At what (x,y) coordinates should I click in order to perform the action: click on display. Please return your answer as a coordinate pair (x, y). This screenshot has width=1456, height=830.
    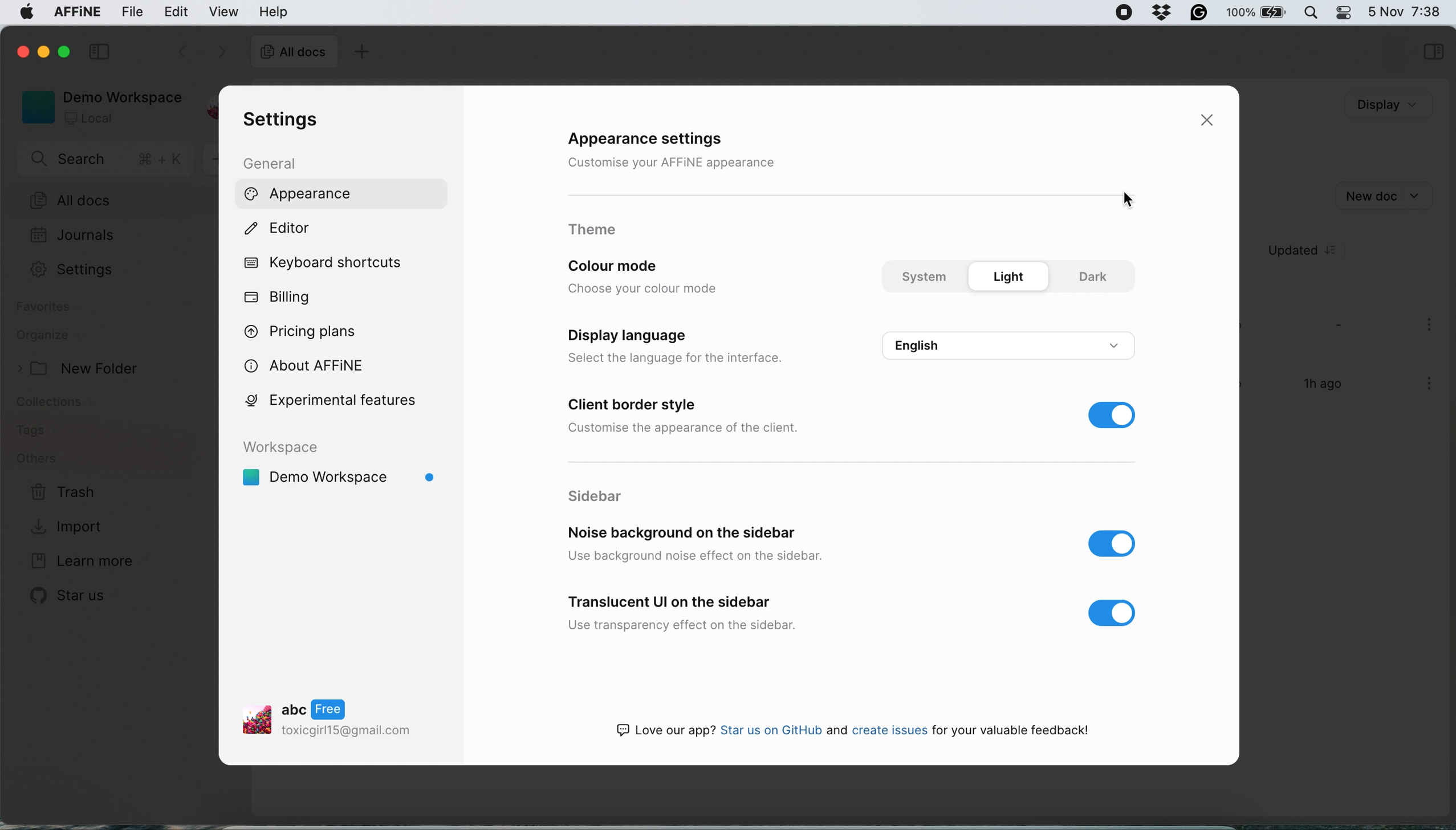
    Looking at the image, I should click on (1389, 107).